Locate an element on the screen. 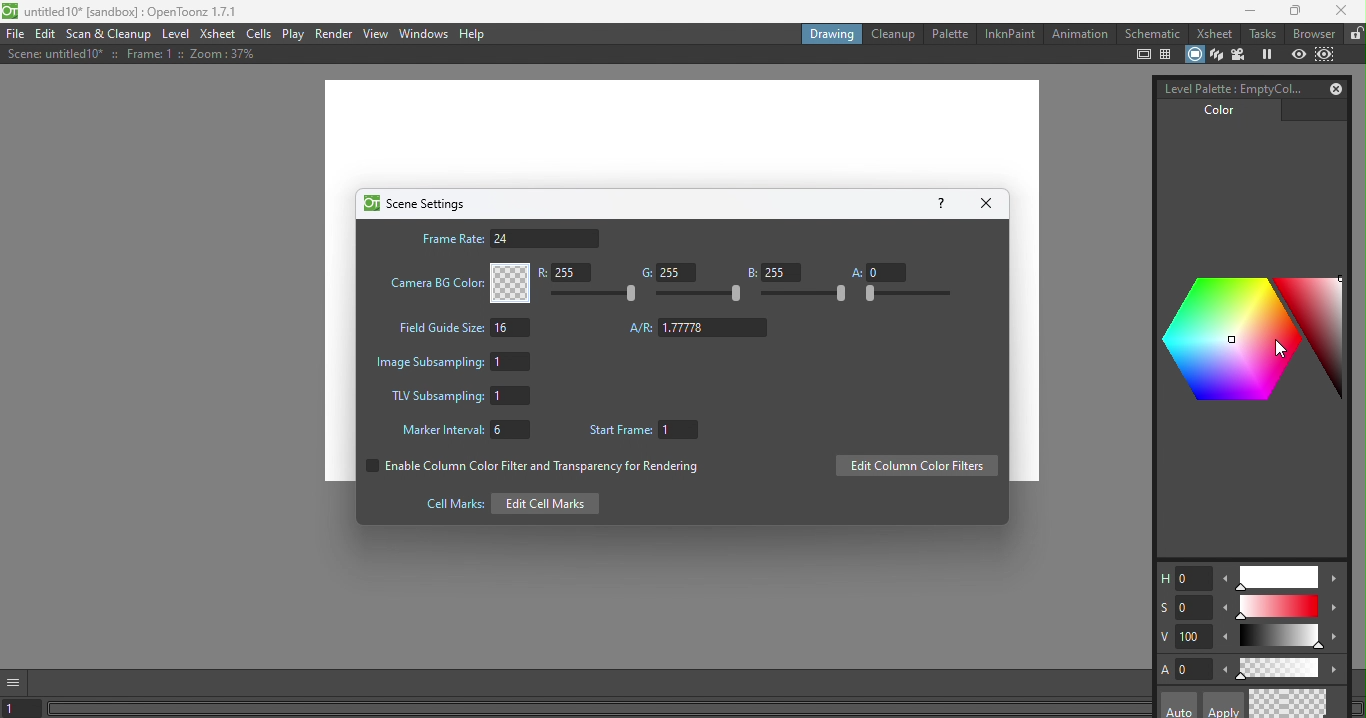 The height and width of the screenshot is (718, 1366). set the current frame is located at coordinates (24, 709).